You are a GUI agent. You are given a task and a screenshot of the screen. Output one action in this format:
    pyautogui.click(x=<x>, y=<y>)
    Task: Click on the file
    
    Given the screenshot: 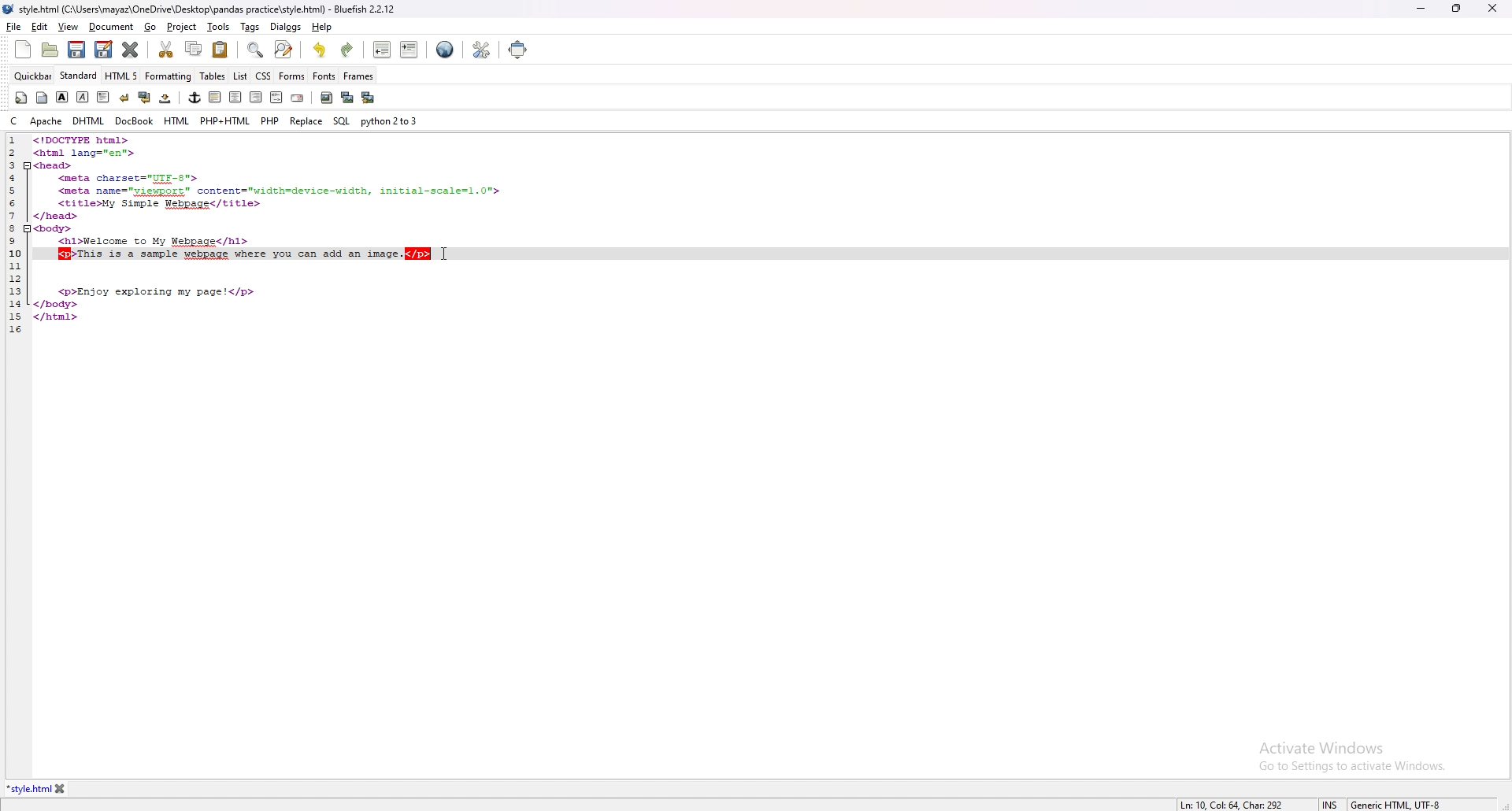 What is the action you would take?
    pyautogui.click(x=14, y=27)
    